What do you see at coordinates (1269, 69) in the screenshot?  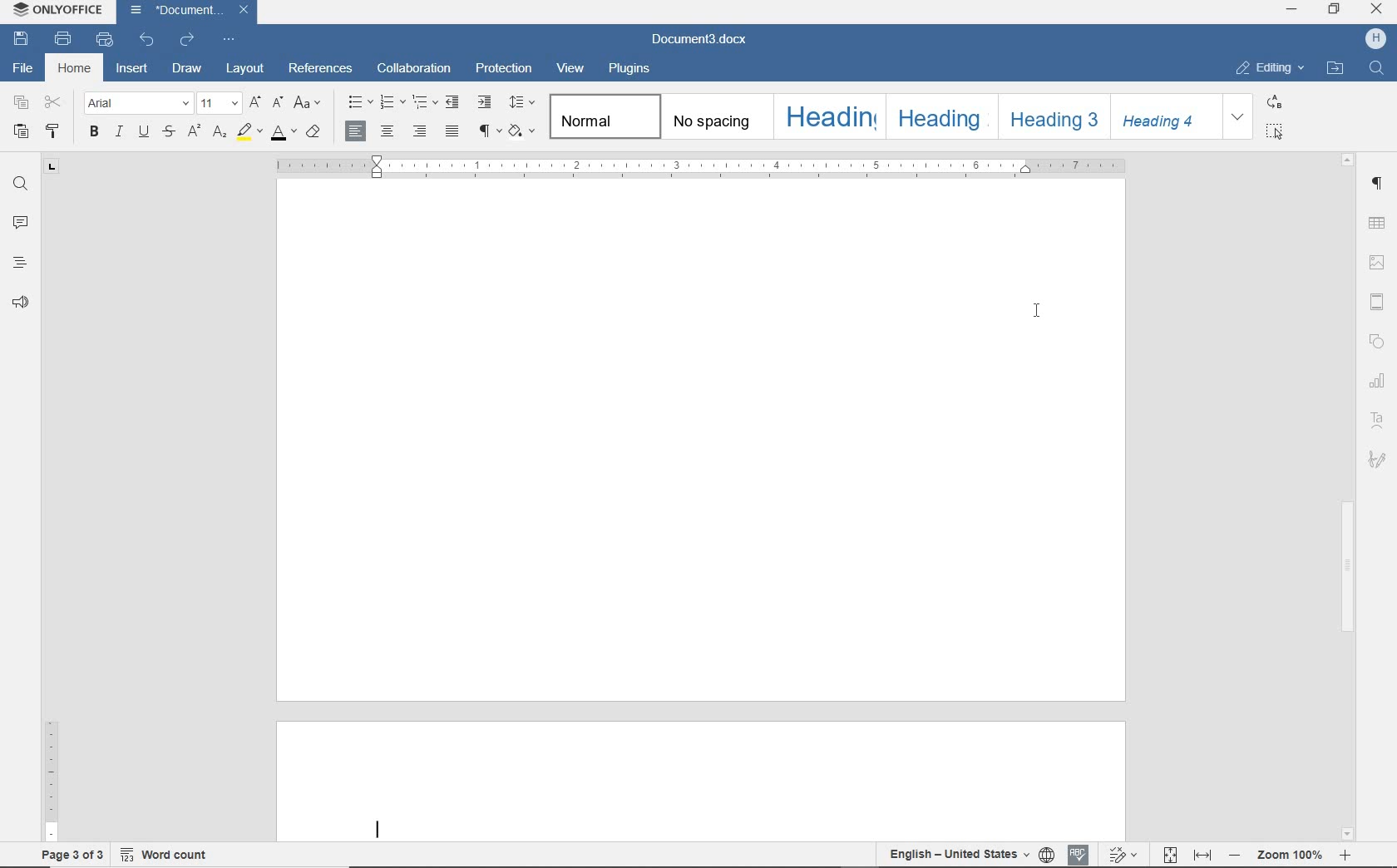 I see `EDITING` at bounding box center [1269, 69].